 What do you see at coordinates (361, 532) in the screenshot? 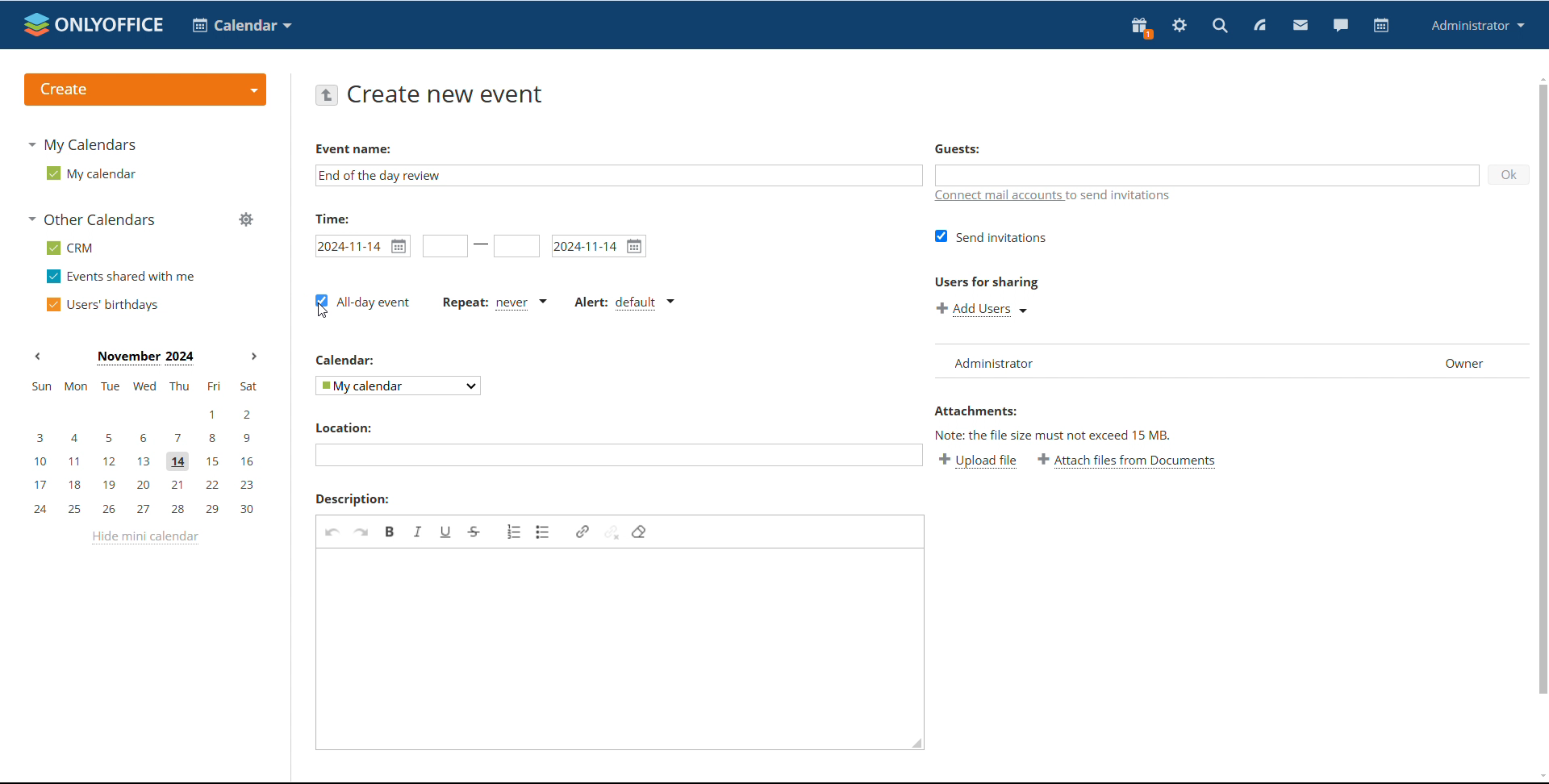
I see `redo` at bounding box center [361, 532].